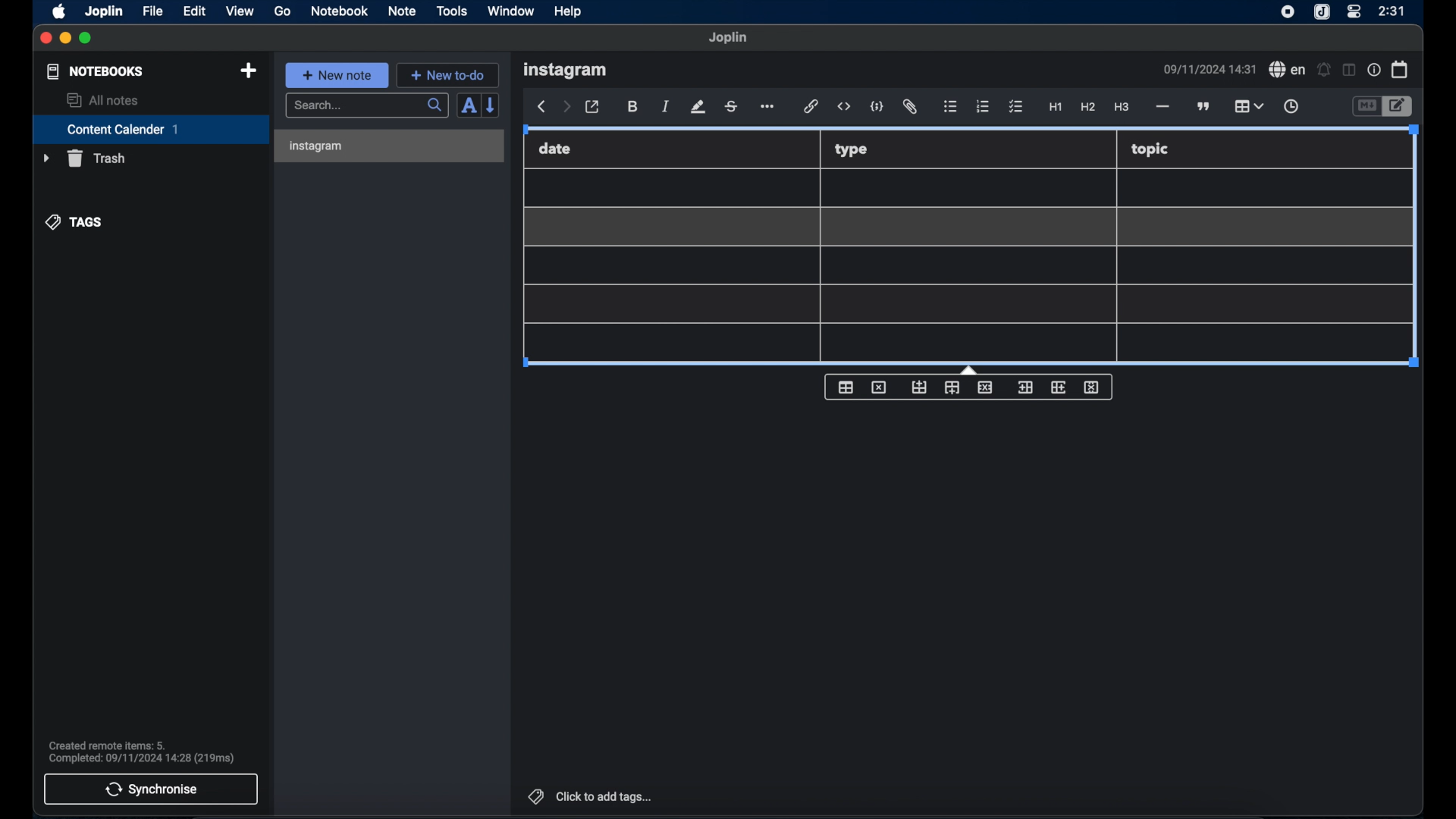 The height and width of the screenshot is (819, 1456). Describe the element at coordinates (912, 107) in the screenshot. I see `attach file` at that location.